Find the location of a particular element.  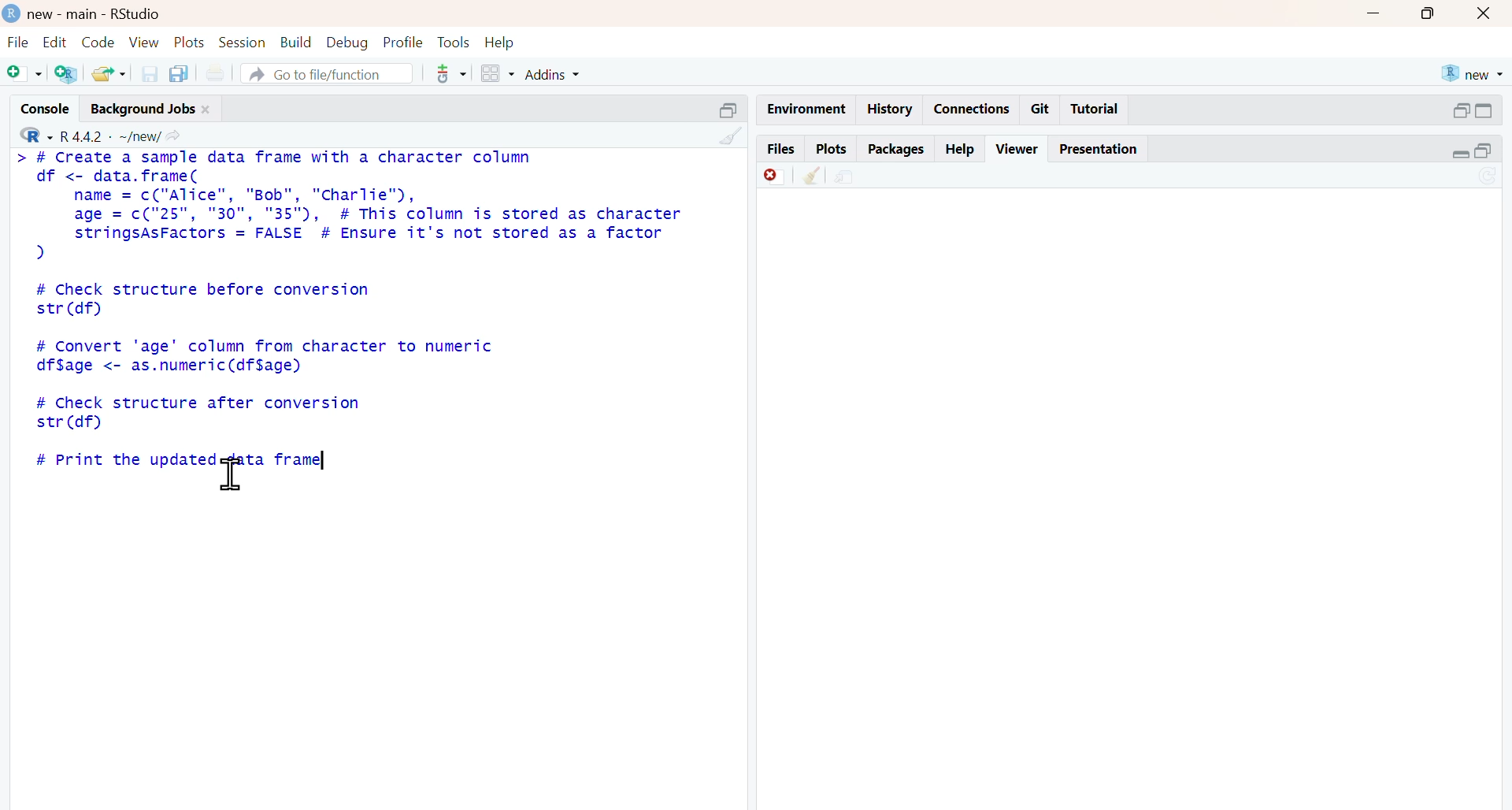

view is located at coordinates (144, 43).